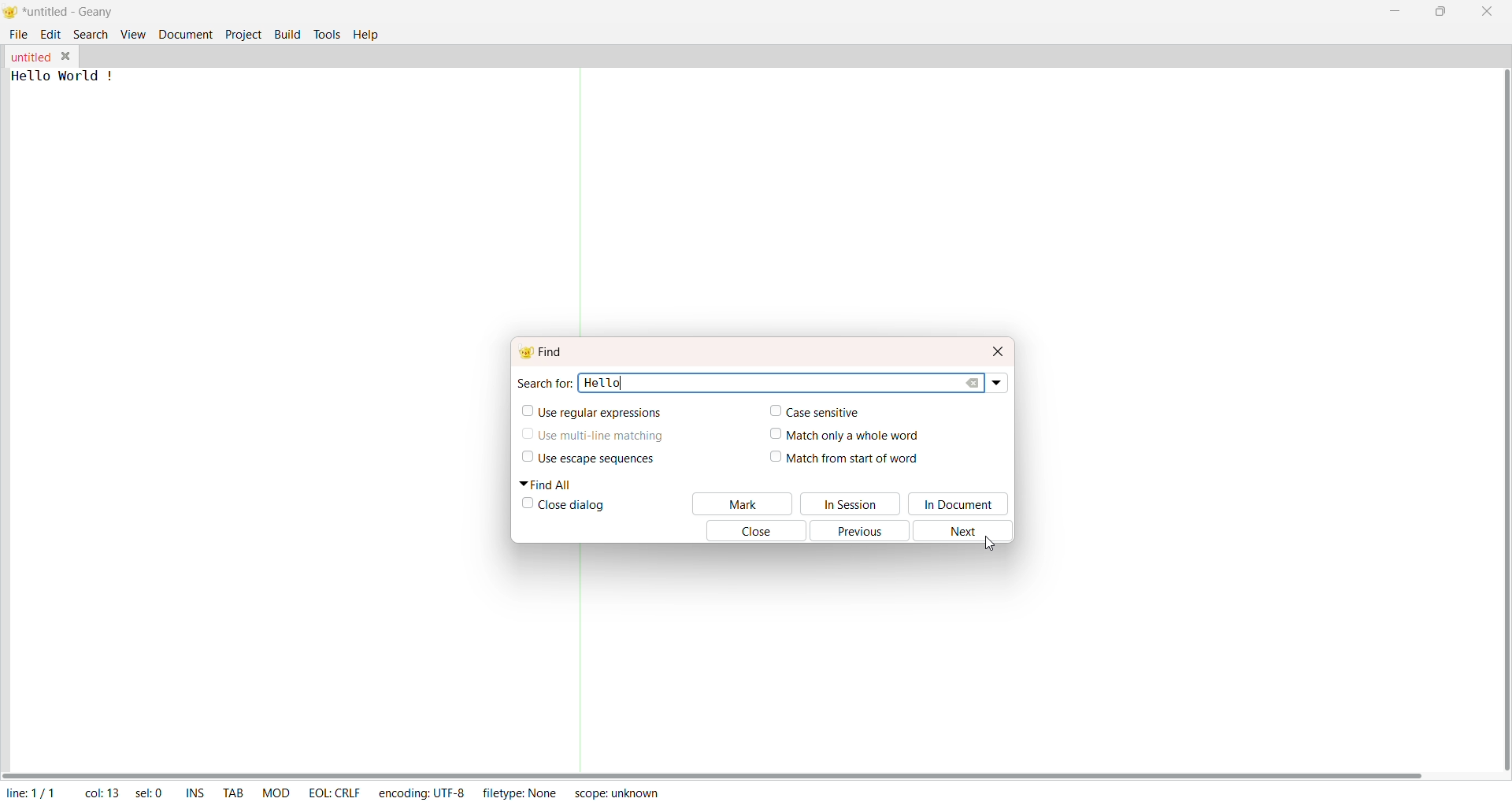 Image resolution: width=1512 pixels, height=802 pixels. What do you see at coordinates (29, 58) in the screenshot?
I see `File Name` at bounding box center [29, 58].